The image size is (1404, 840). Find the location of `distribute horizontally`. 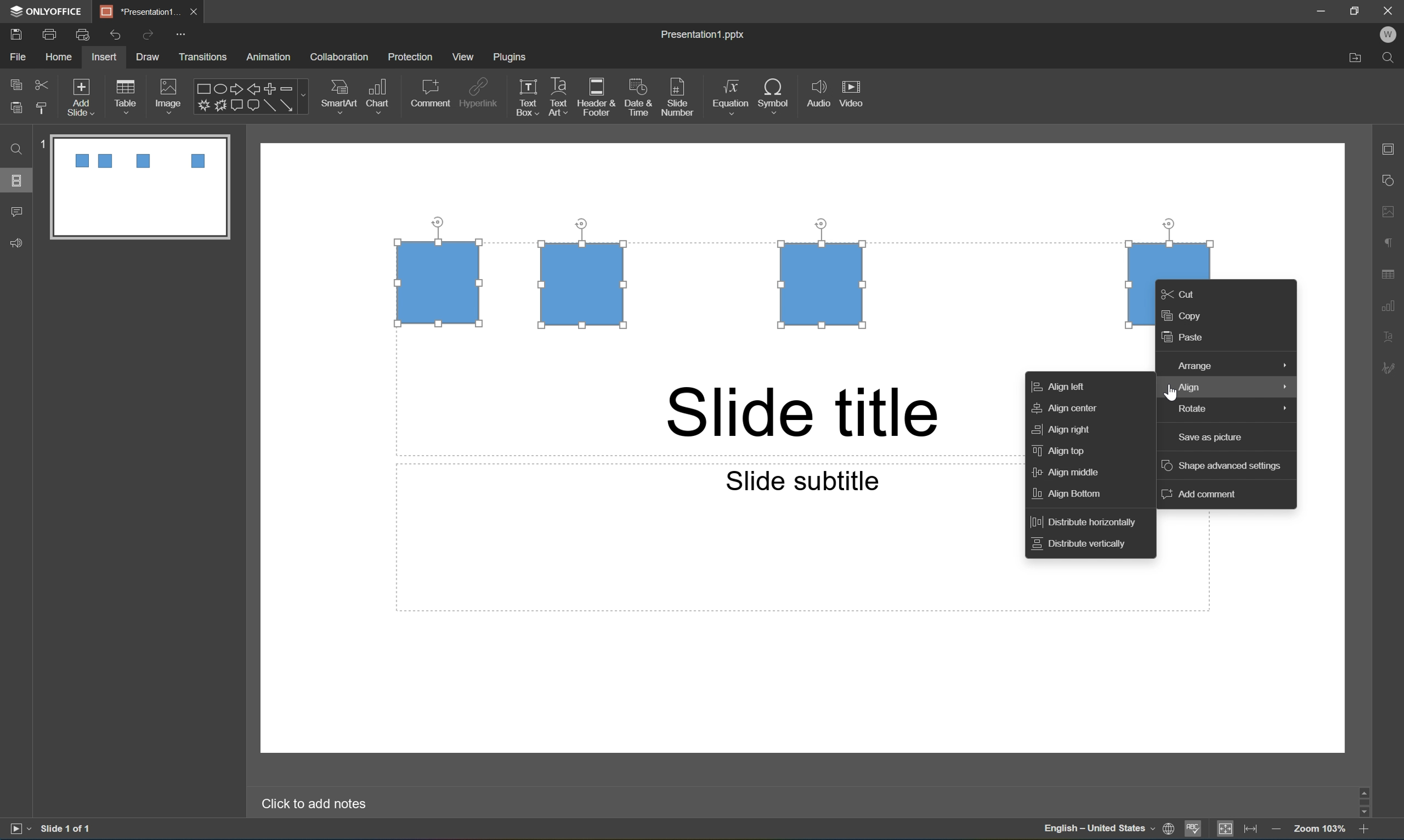

distribute horizontally is located at coordinates (1090, 520).